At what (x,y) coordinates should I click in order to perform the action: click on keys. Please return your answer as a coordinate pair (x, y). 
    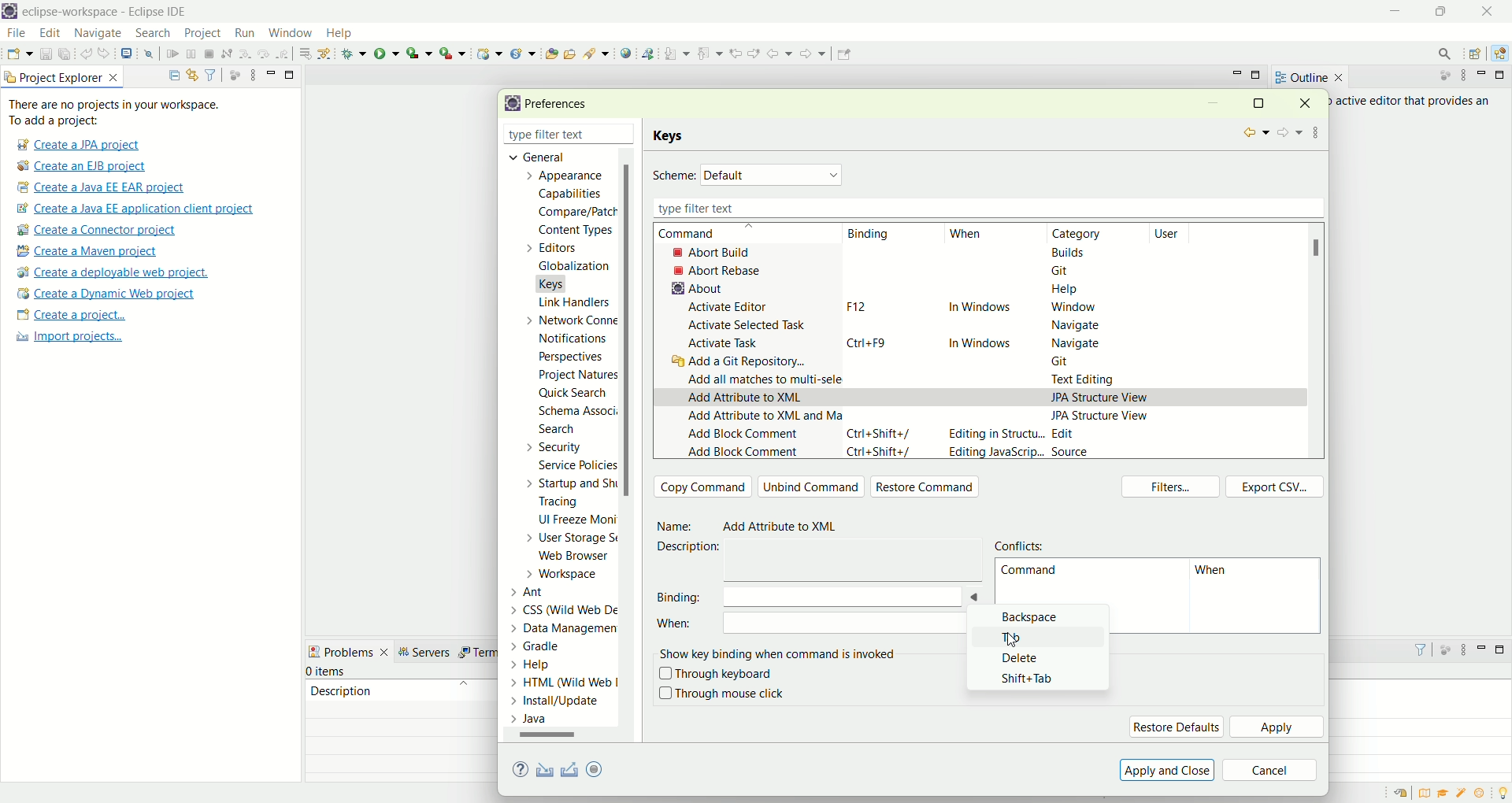
    Looking at the image, I should click on (672, 136).